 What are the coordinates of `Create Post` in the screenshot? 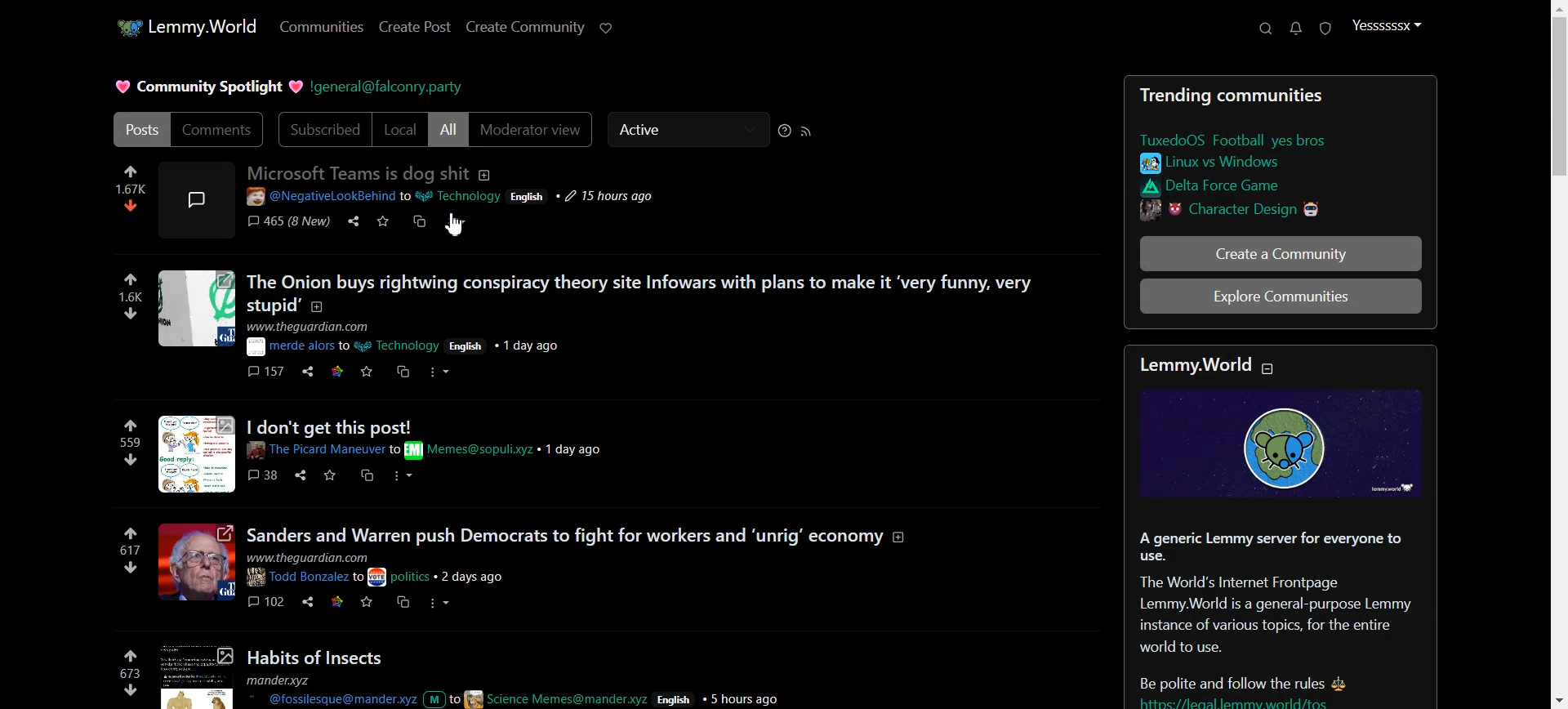 It's located at (415, 27).